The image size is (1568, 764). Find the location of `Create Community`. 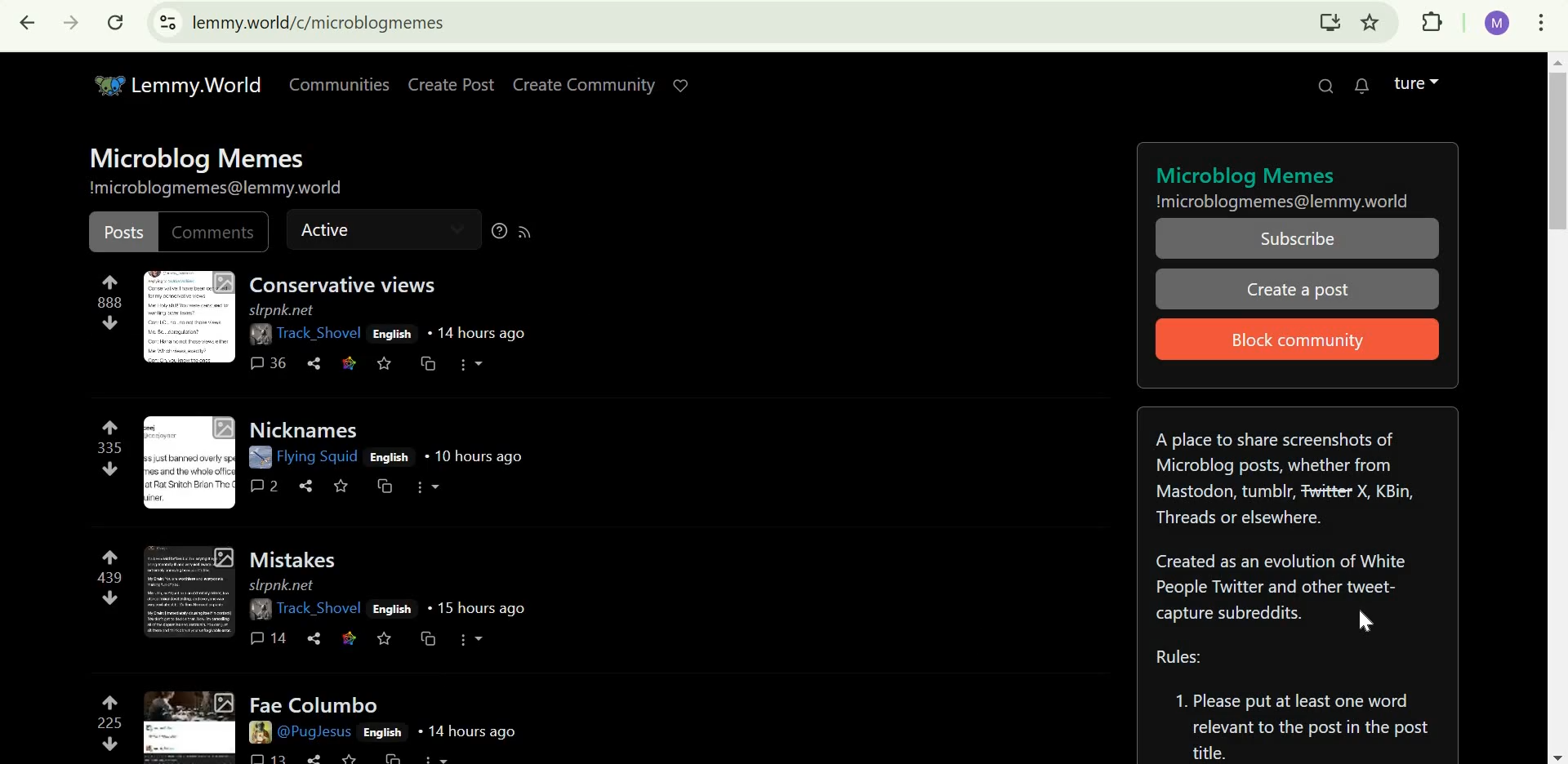

Create Community is located at coordinates (607, 87).